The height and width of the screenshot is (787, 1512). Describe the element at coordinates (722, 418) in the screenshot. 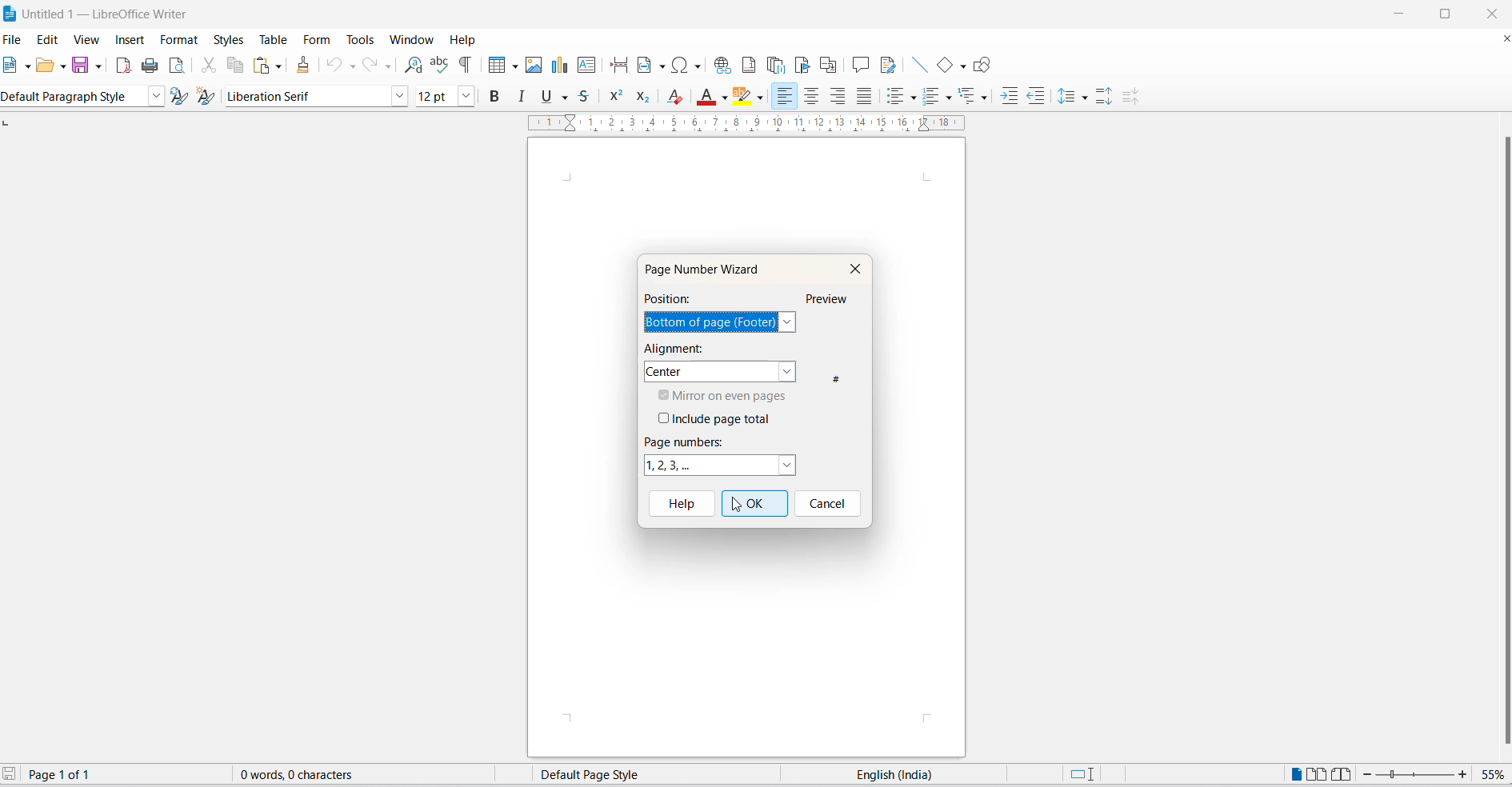

I see `include page total checkbox` at that location.